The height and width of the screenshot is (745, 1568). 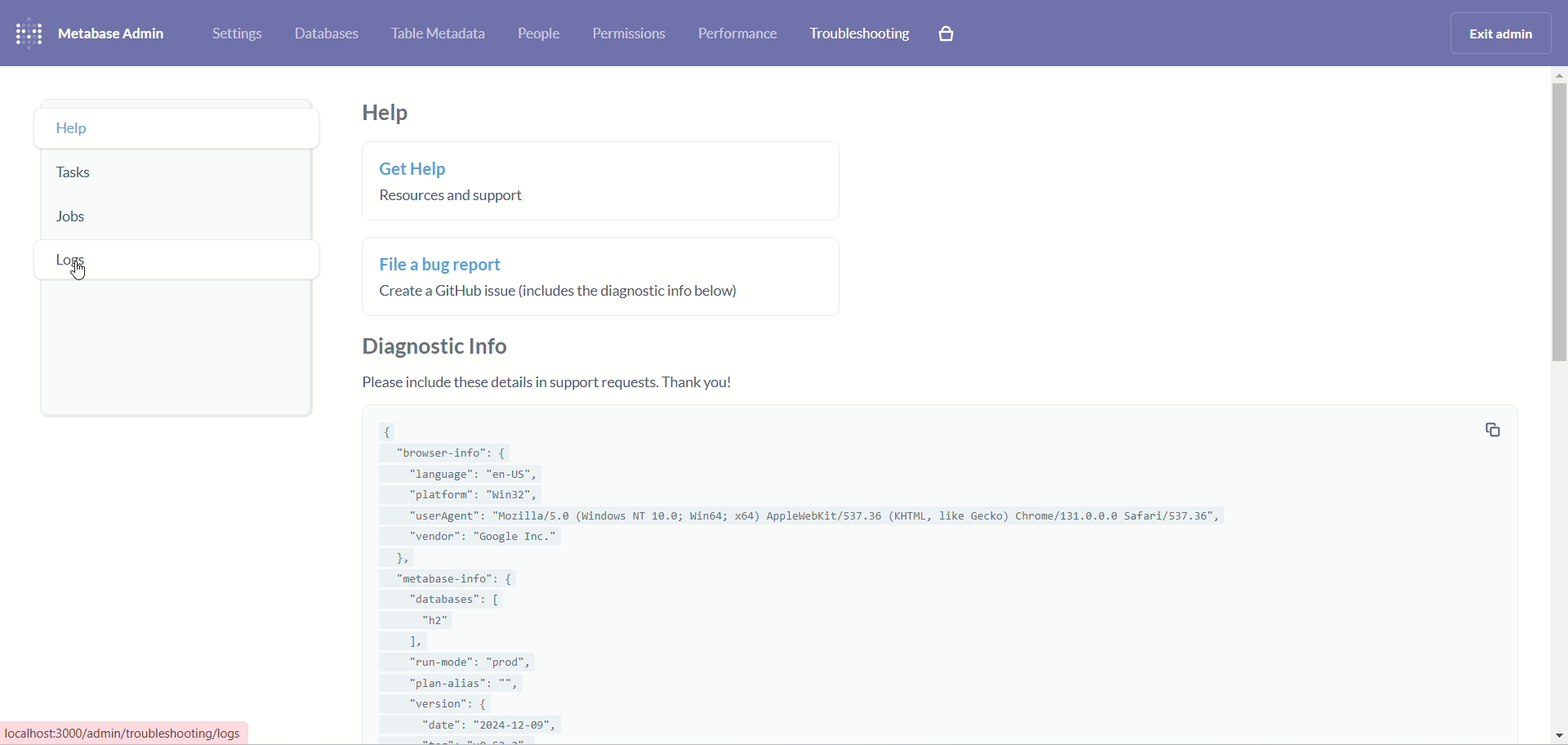 I want to click on tasks, so click(x=180, y=177).